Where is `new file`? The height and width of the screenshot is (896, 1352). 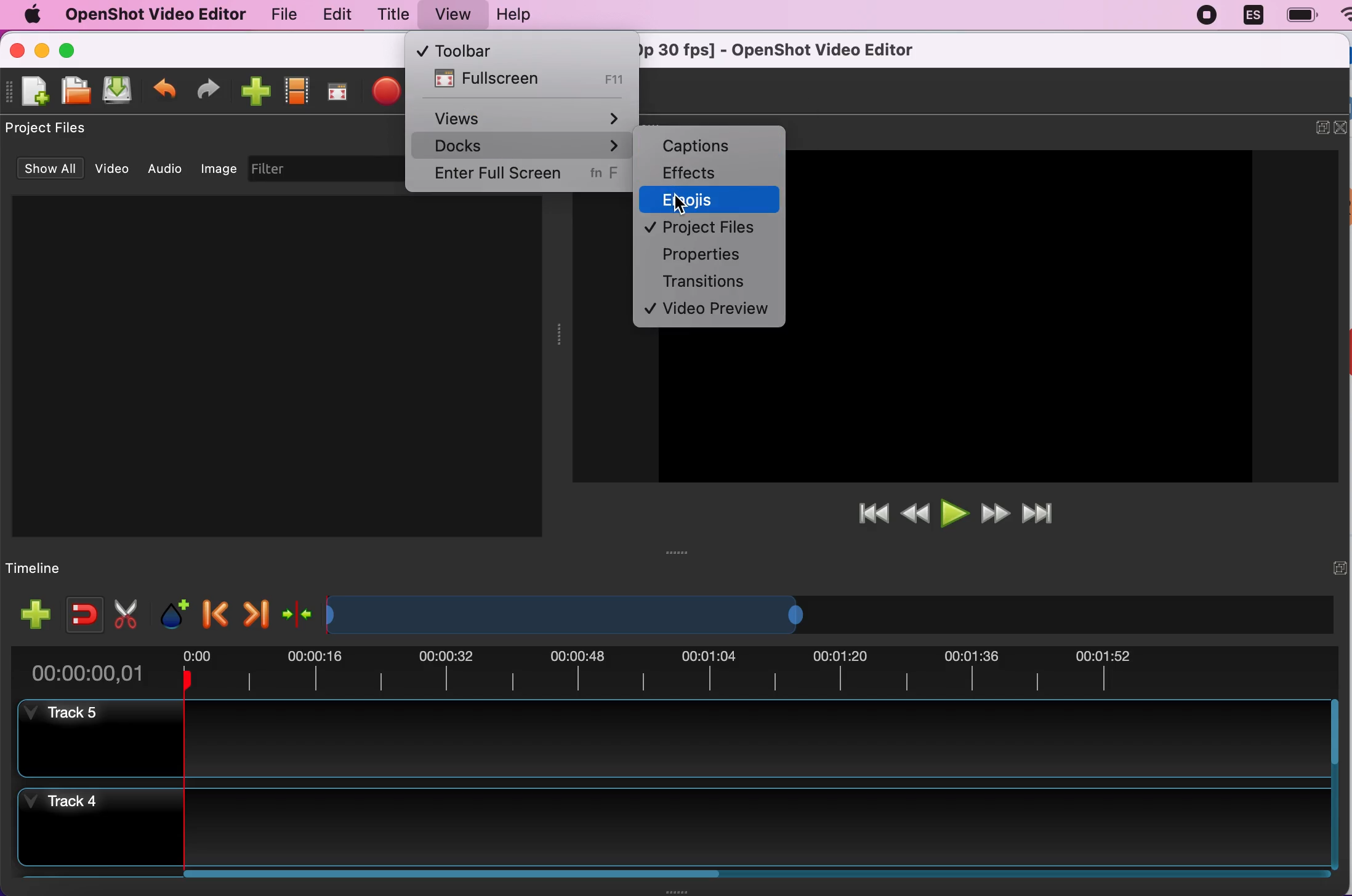 new file is located at coordinates (29, 97).